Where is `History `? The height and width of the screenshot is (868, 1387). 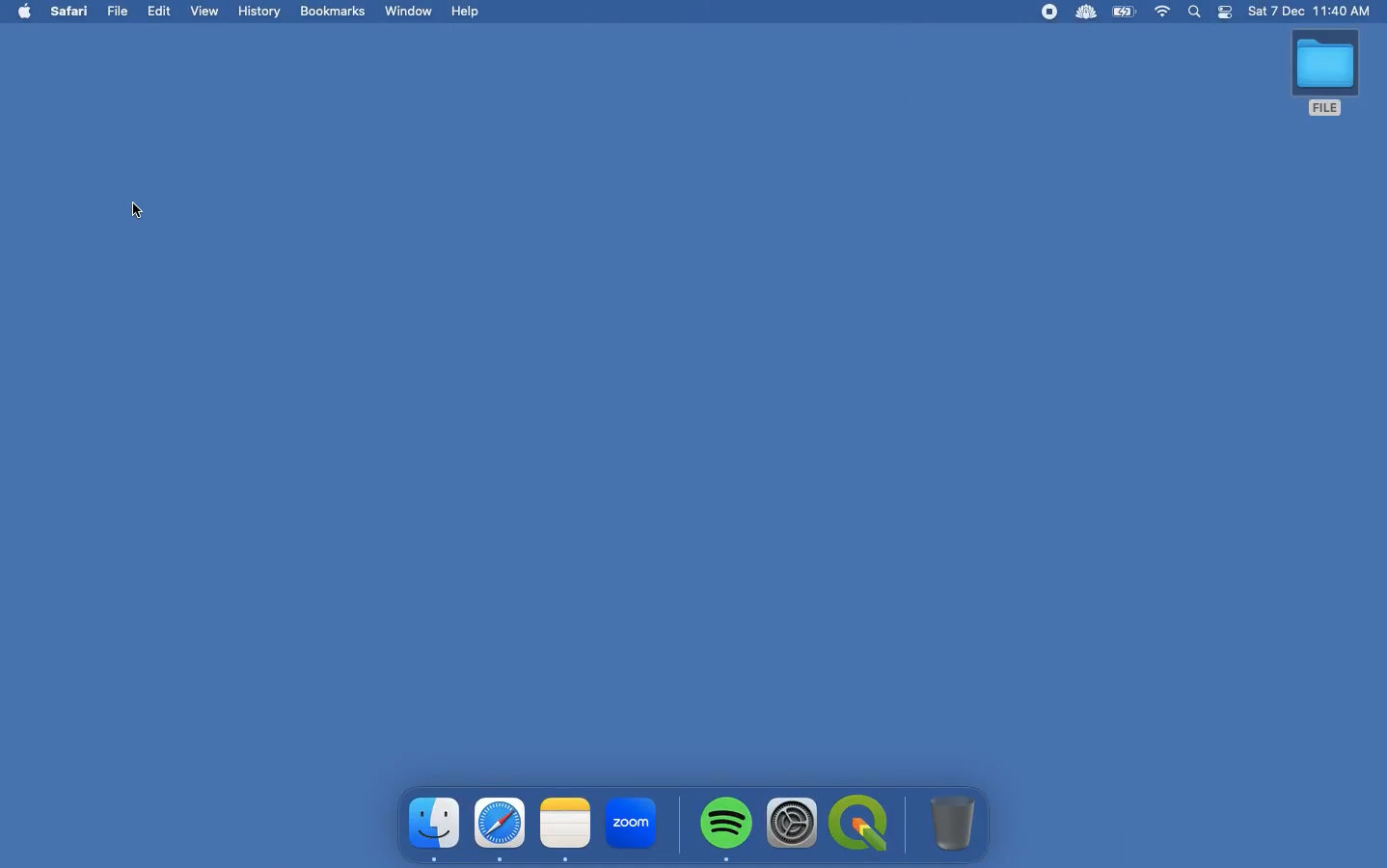 History  is located at coordinates (260, 11).